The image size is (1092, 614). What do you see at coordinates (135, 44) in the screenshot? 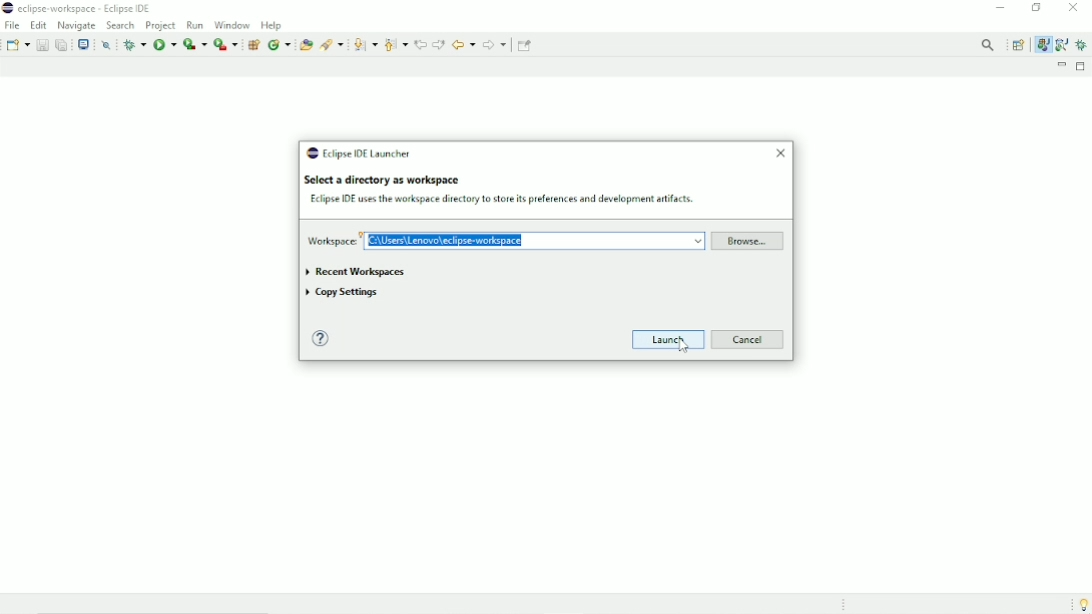
I see `Debug` at bounding box center [135, 44].